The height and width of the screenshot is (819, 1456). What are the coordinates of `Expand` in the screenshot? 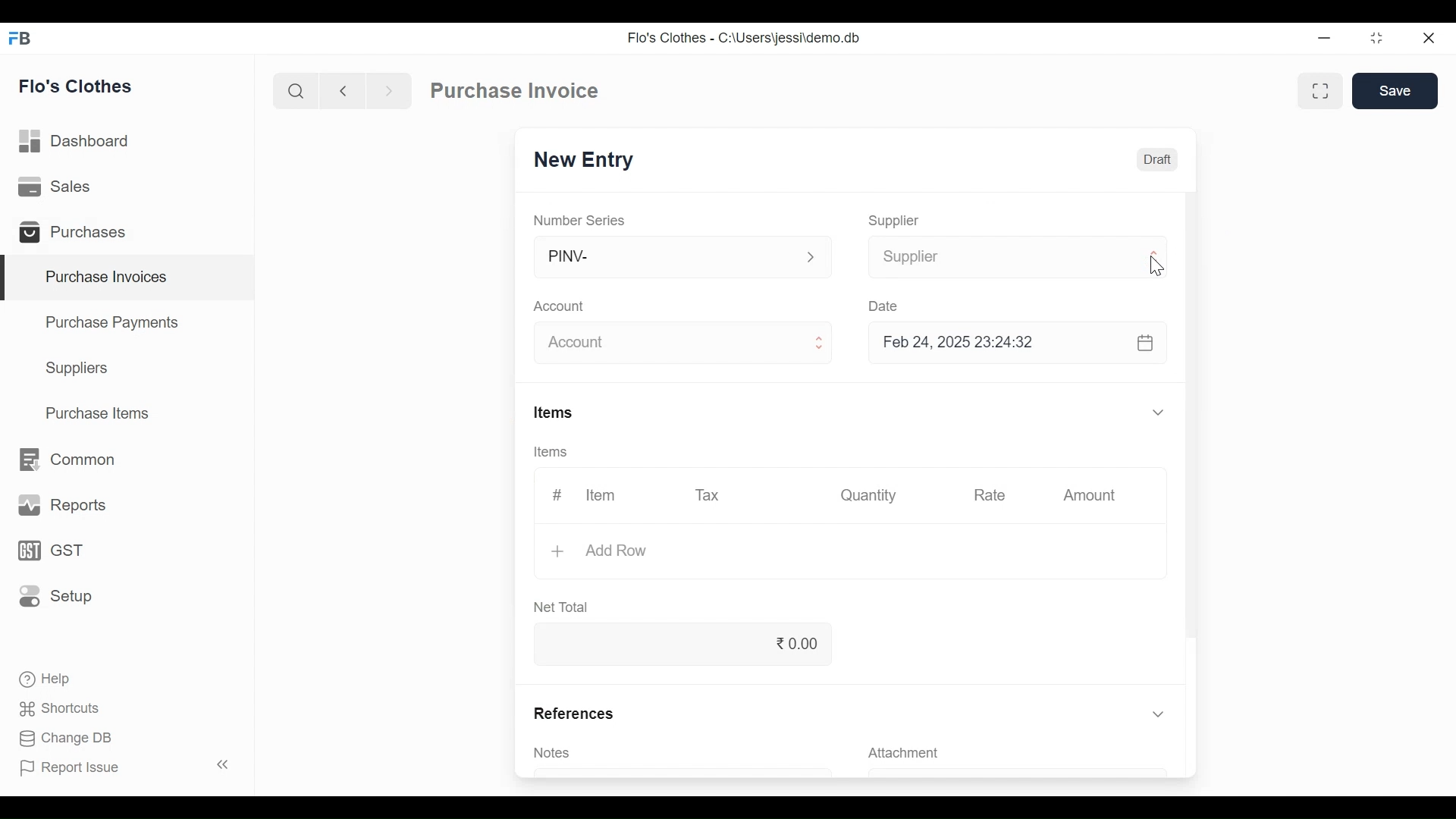 It's located at (1158, 714).